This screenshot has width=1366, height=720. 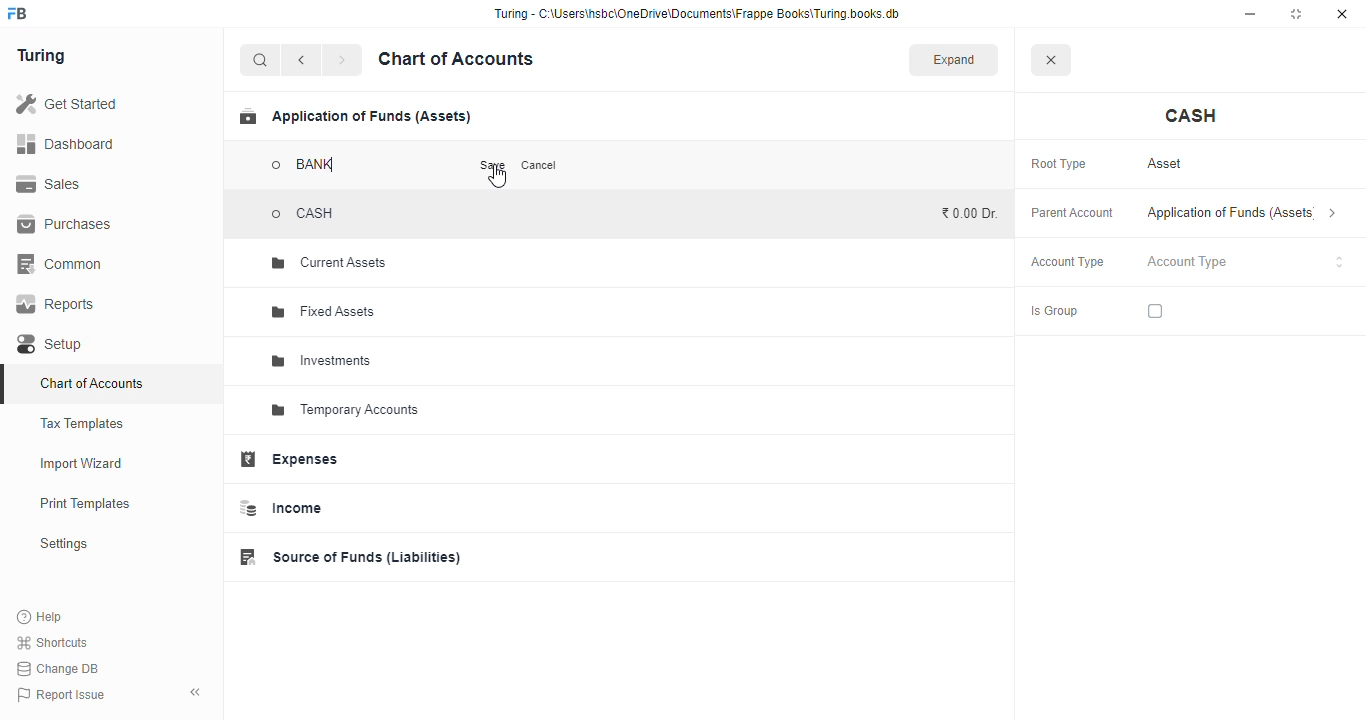 What do you see at coordinates (456, 59) in the screenshot?
I see `chart of accounts` at bounding box center [456, 59].